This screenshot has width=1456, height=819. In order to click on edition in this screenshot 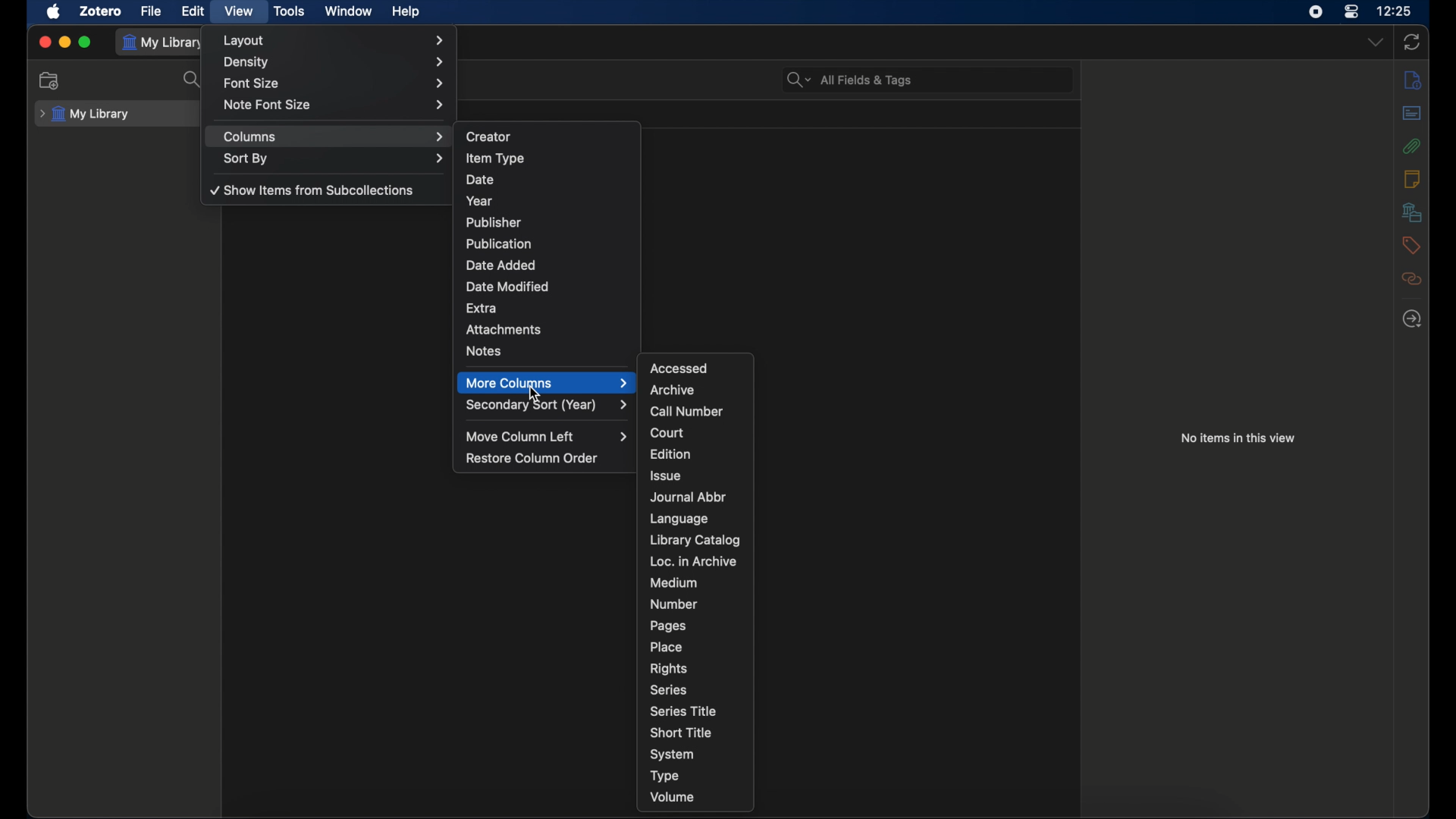, I will do `click(673, 454)`.